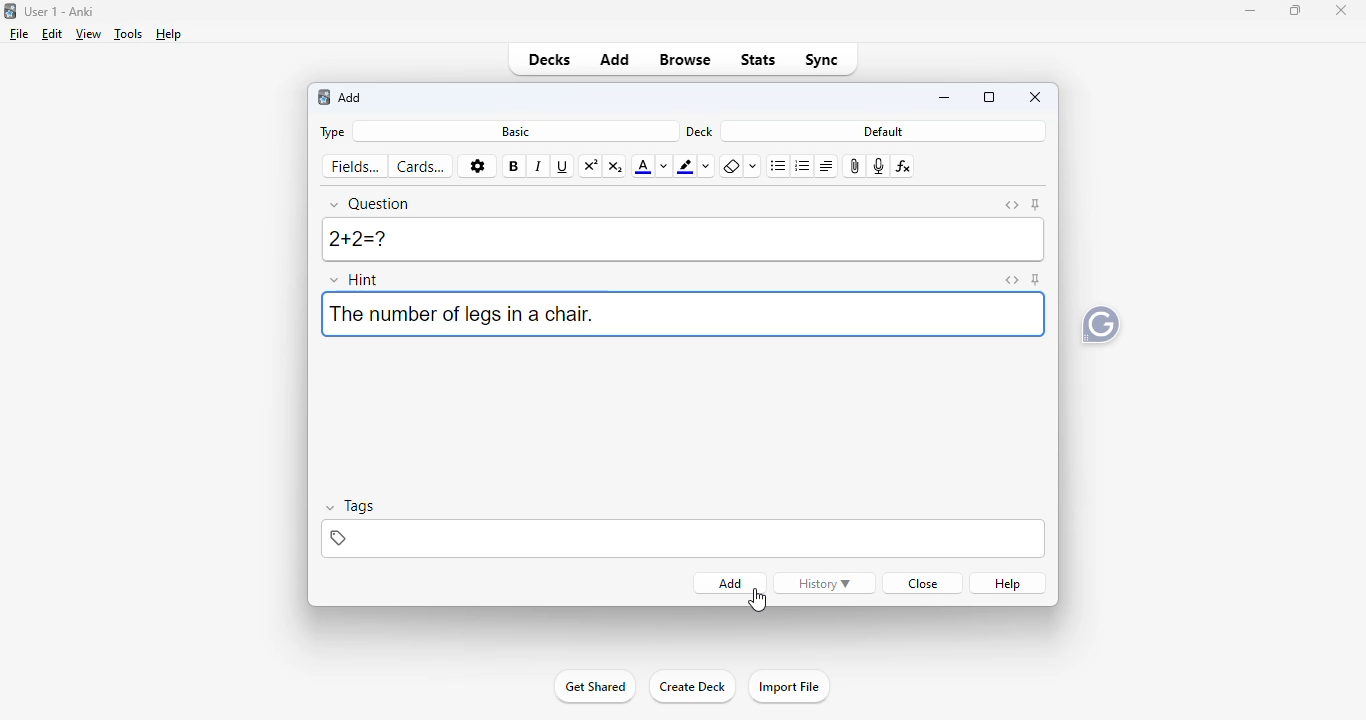 This screenshot has height=720, width=1366. Describe the element at coordinates (89, 35) in the screenshot. I see `view` at that location.